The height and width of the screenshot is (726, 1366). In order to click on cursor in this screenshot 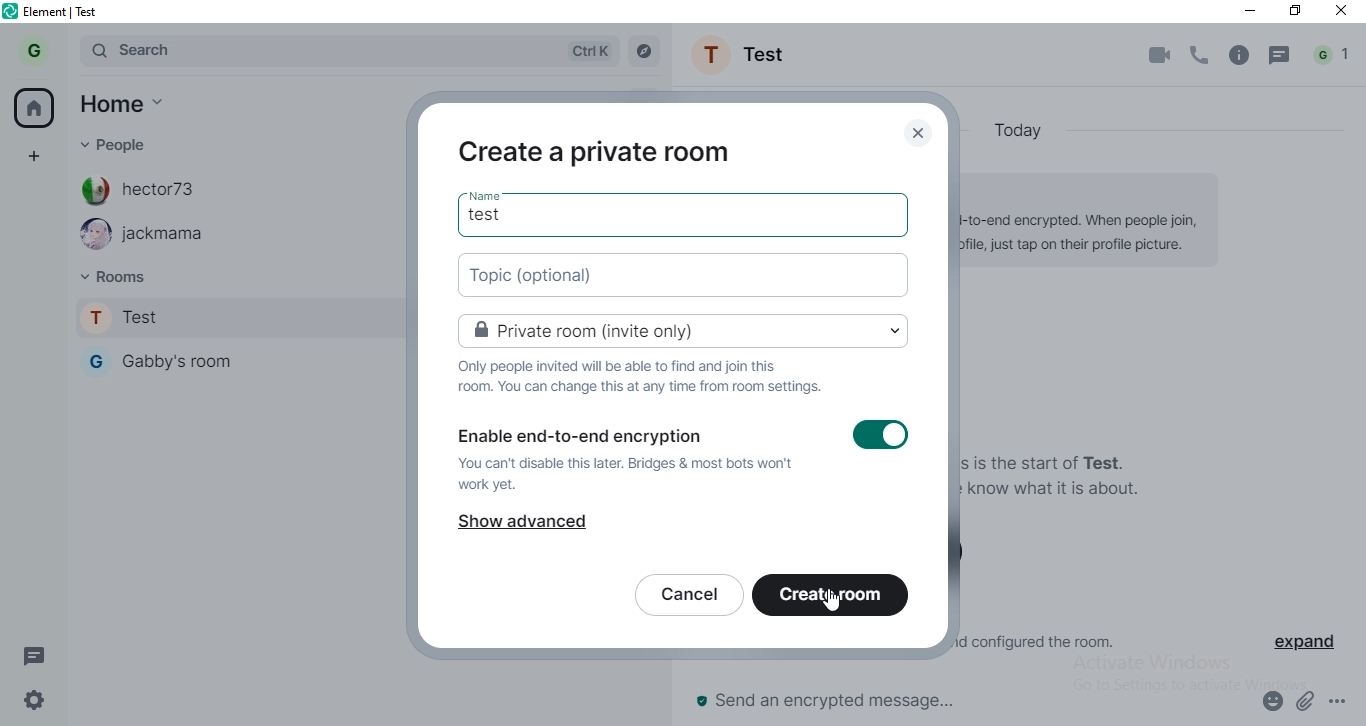, I will do `click(833, 599)`.